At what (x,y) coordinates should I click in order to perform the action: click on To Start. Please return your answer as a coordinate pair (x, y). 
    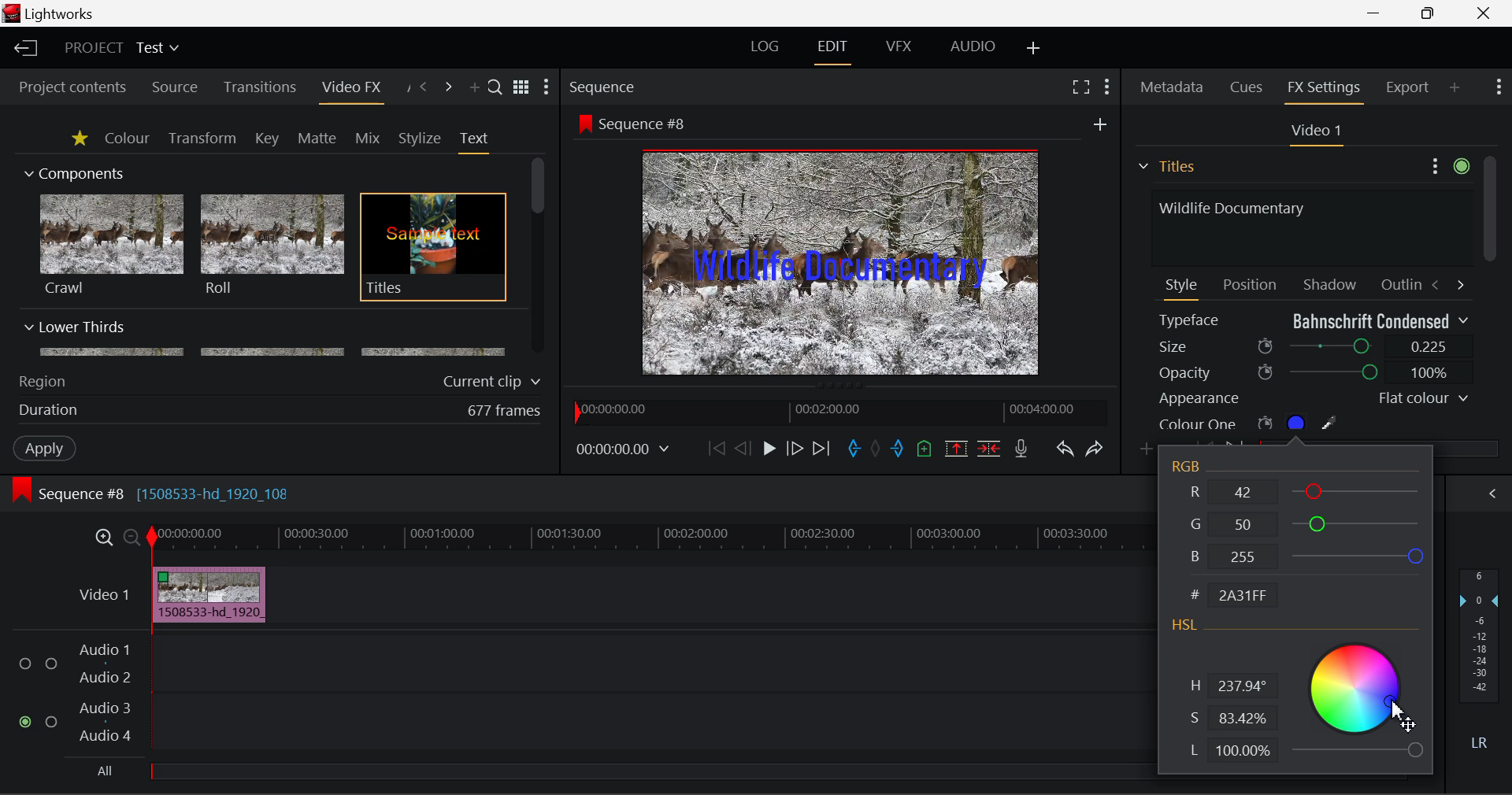
    Looking at the image, I should click on (717, 449).